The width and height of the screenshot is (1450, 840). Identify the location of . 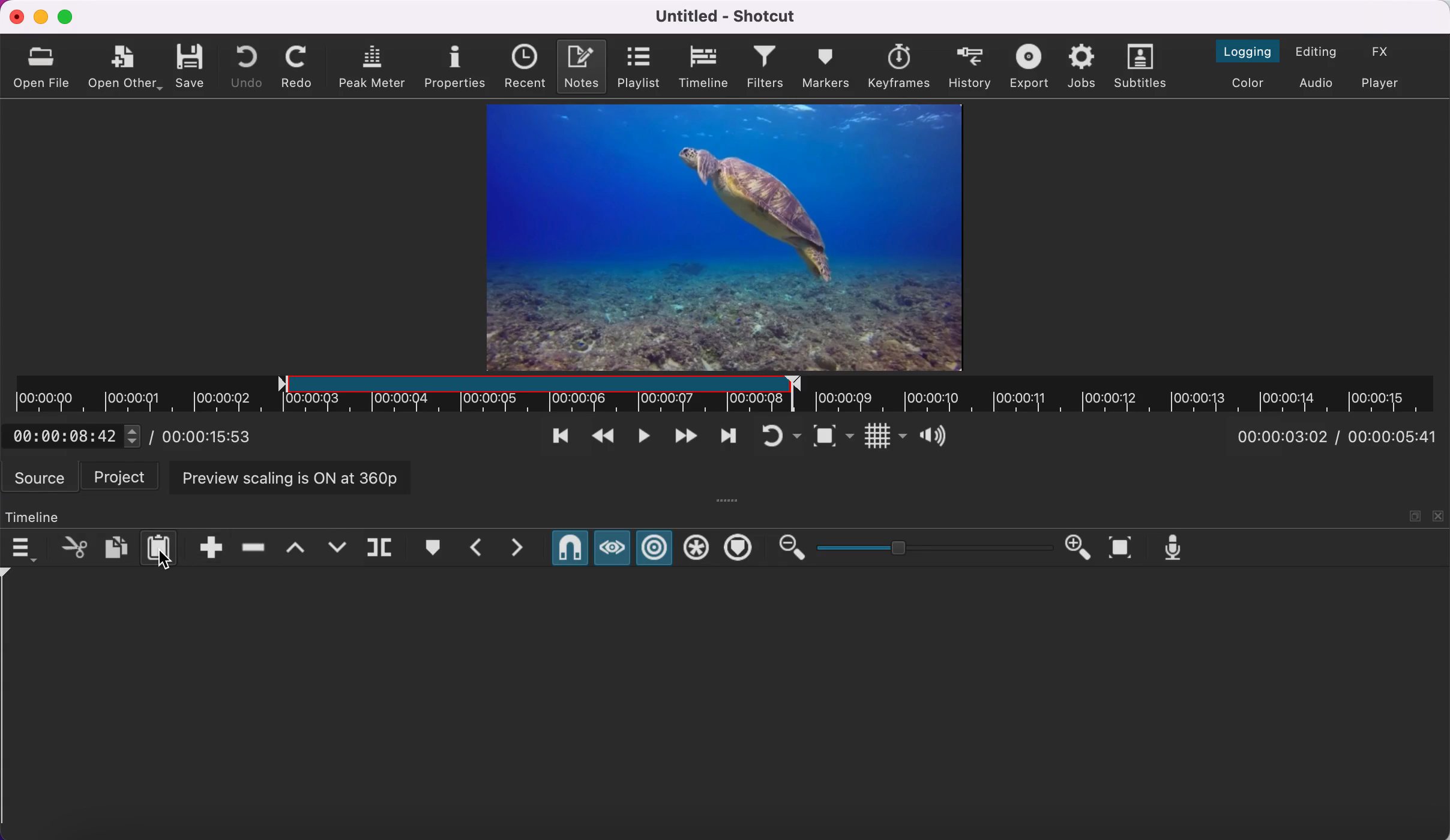
(831, 436).